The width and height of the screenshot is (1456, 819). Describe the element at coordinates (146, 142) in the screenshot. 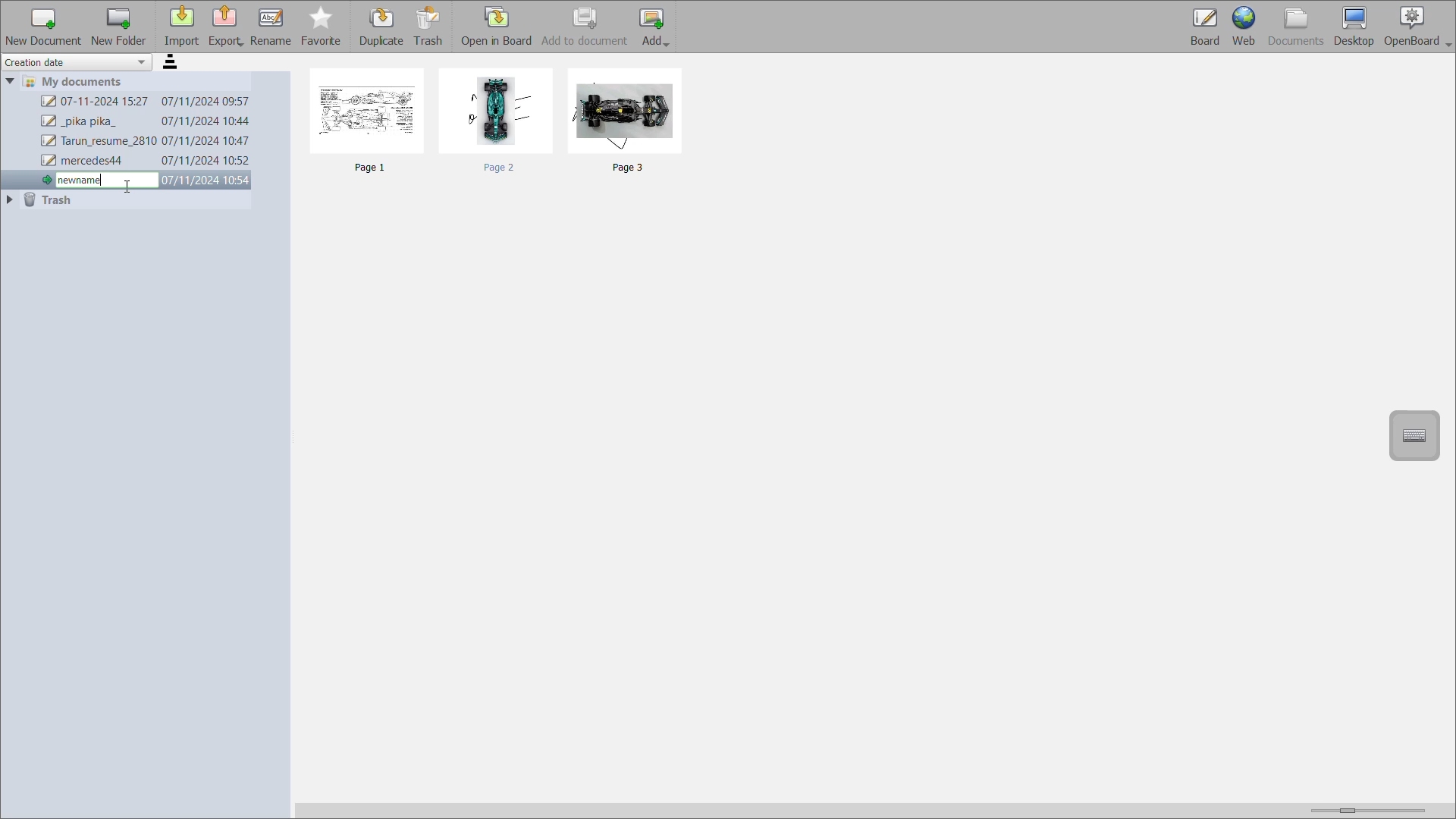

I see `Tarun_resume_2810 07/11/2024 10:47` at that location.